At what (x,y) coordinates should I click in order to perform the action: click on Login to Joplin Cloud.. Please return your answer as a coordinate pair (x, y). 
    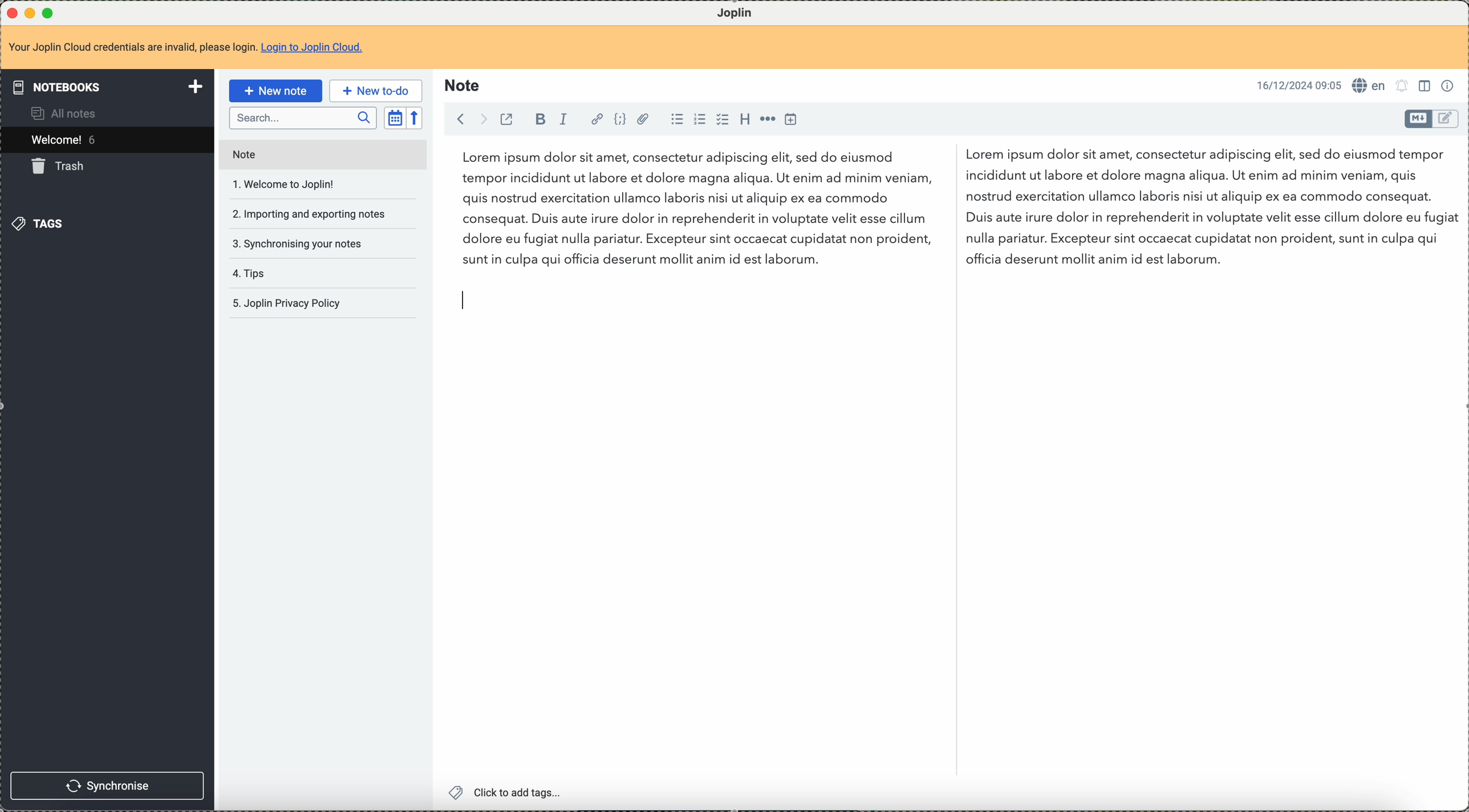
    Looking at the image, I should click on (316, 49).